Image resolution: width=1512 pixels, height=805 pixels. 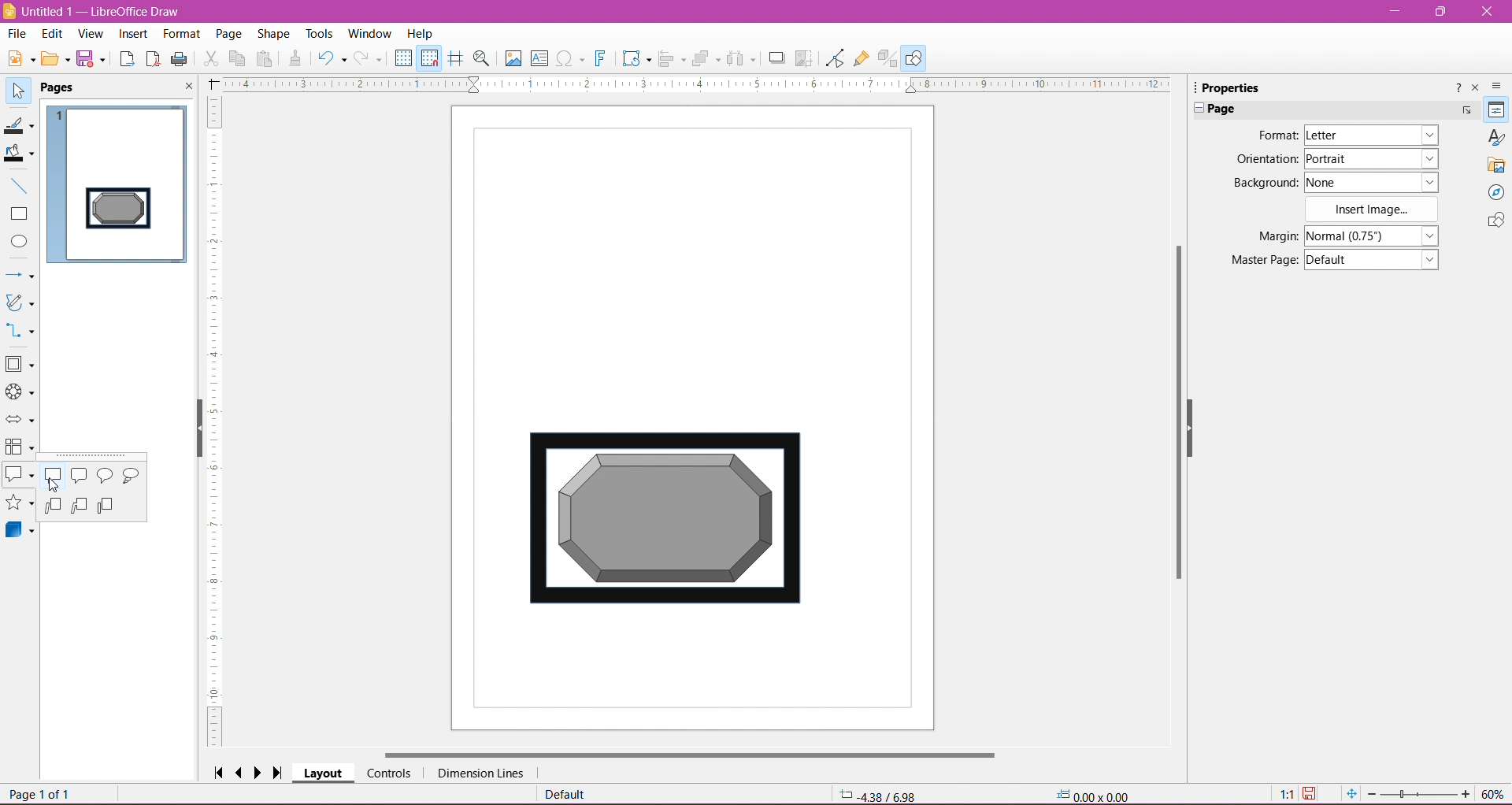 What do you see at coordinates (1496, 193) in the screenshot?
I see `Navigator` at bounding box center [1496, 193].